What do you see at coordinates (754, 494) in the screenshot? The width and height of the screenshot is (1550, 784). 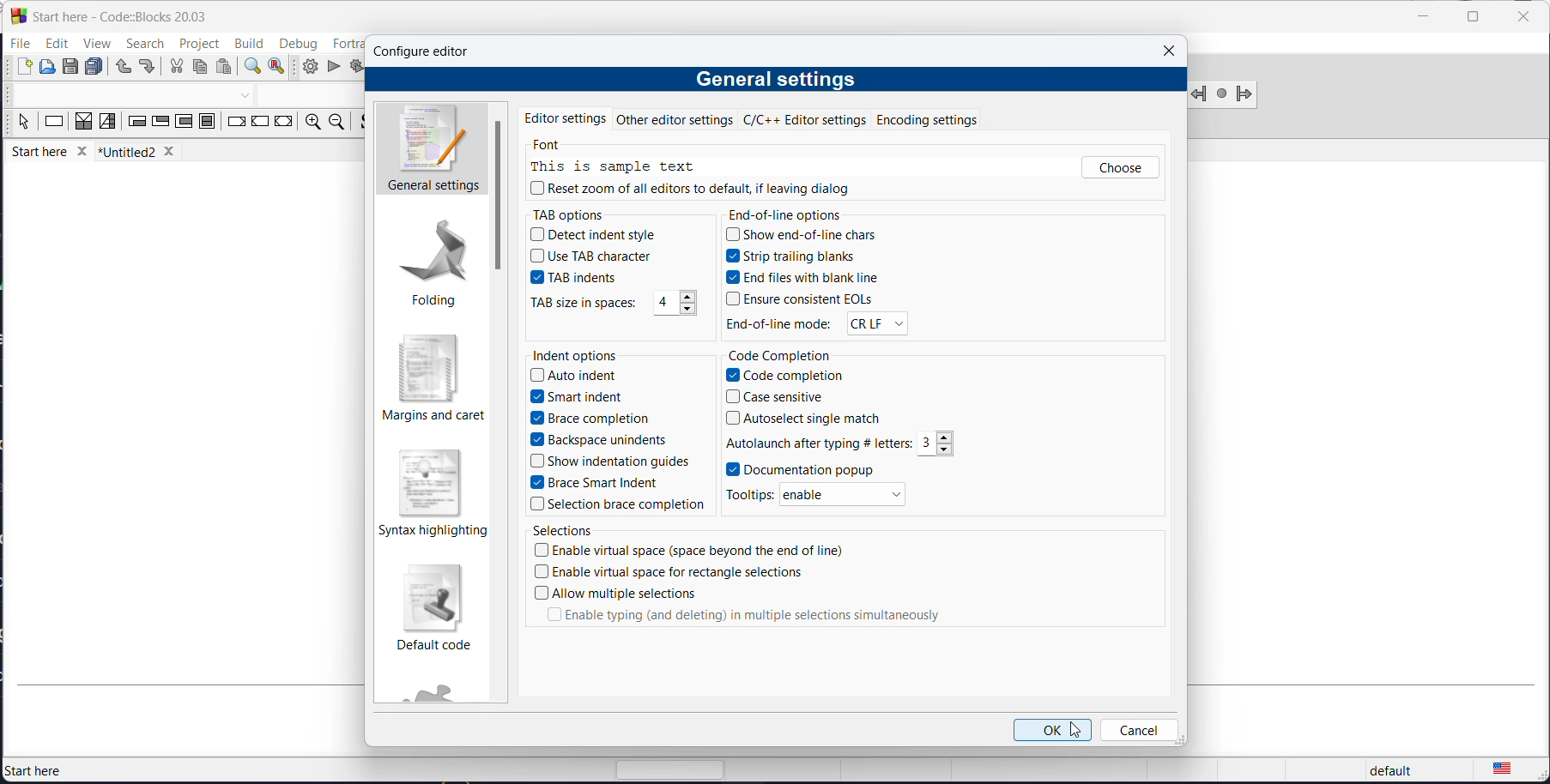 I see `tooltips options` at bounding box center [754, 494].